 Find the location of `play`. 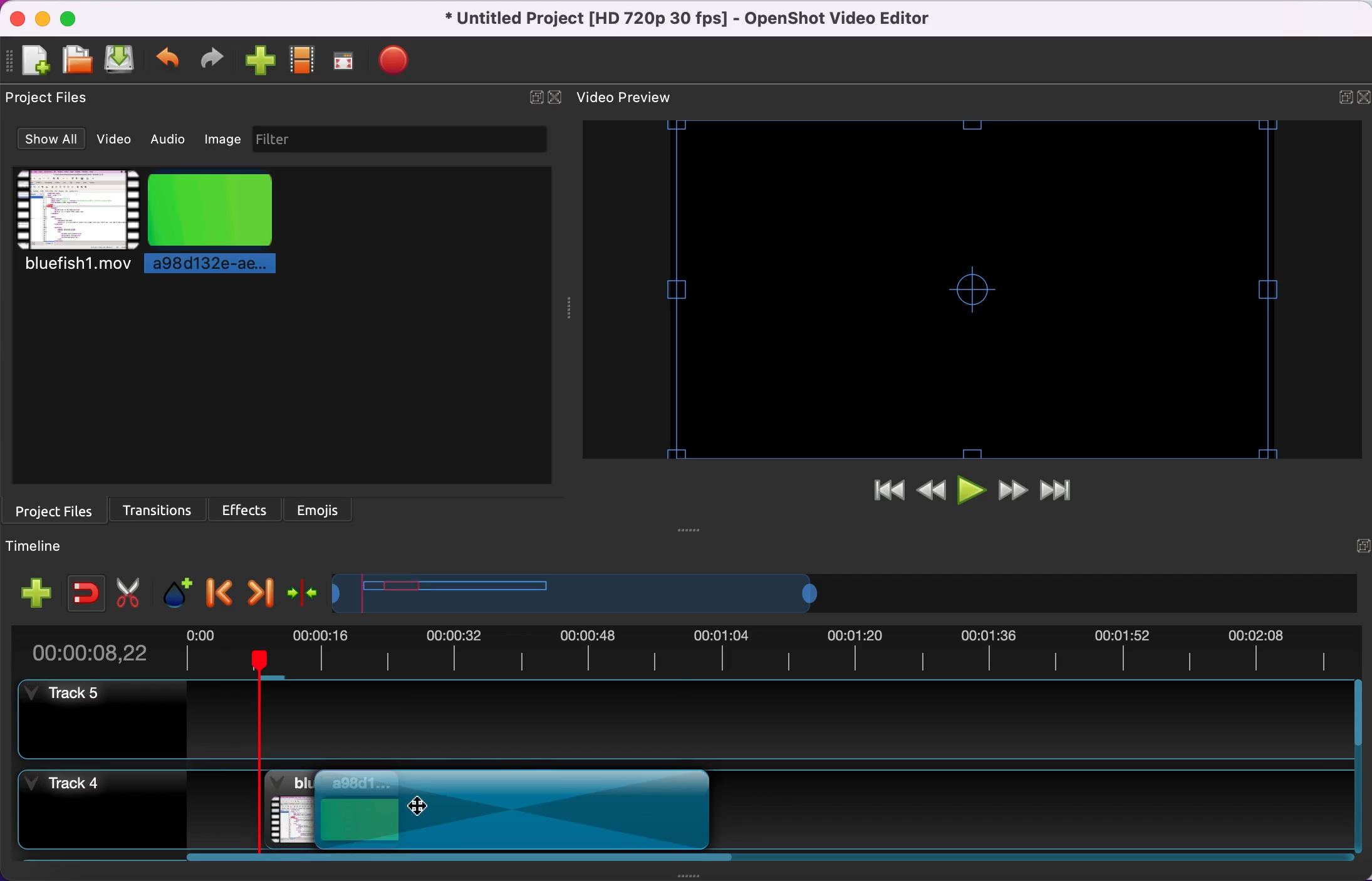

play is located at coordinates (974, 492).